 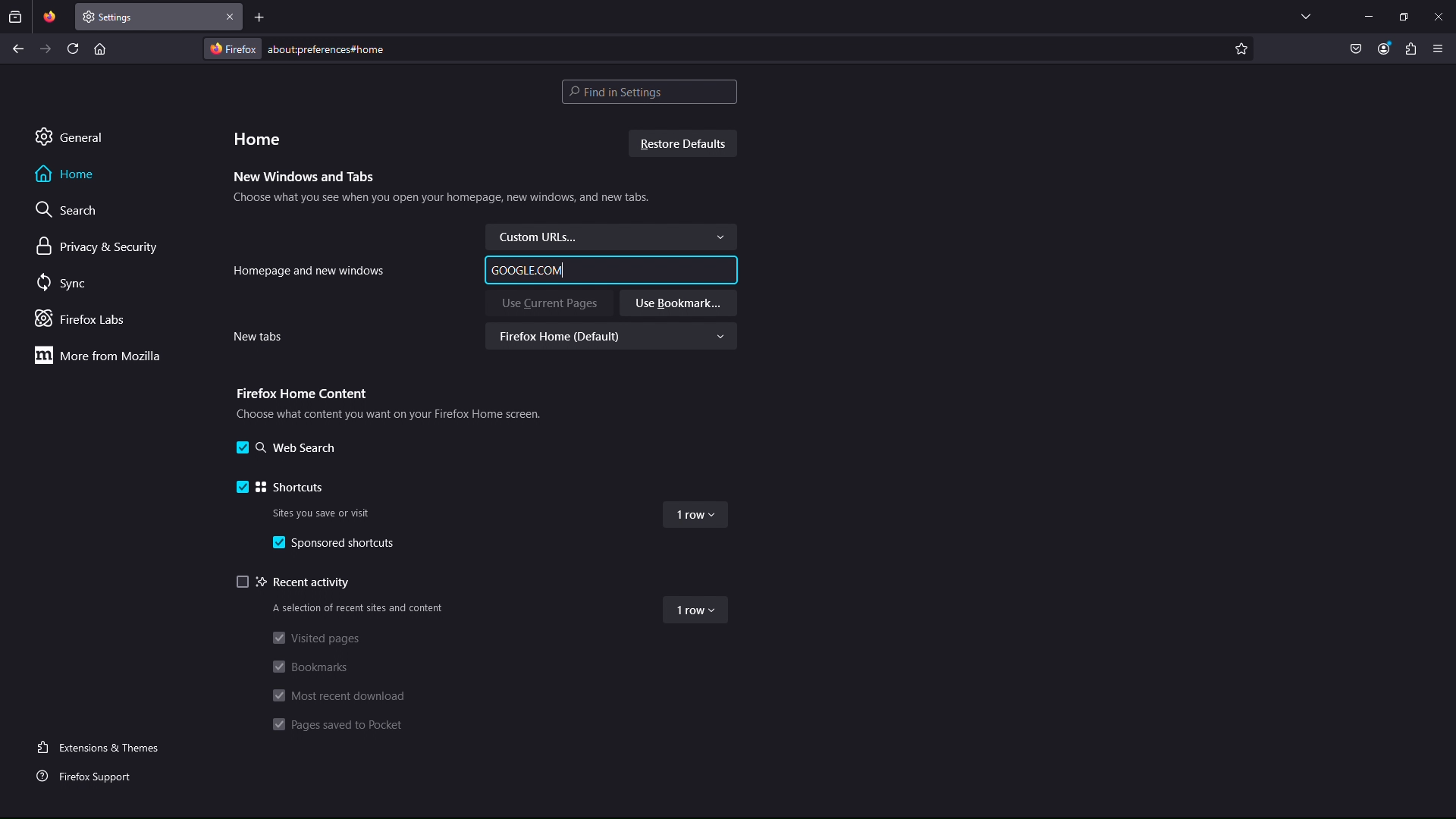 I want to click on Search, so click(x=69, y=209).